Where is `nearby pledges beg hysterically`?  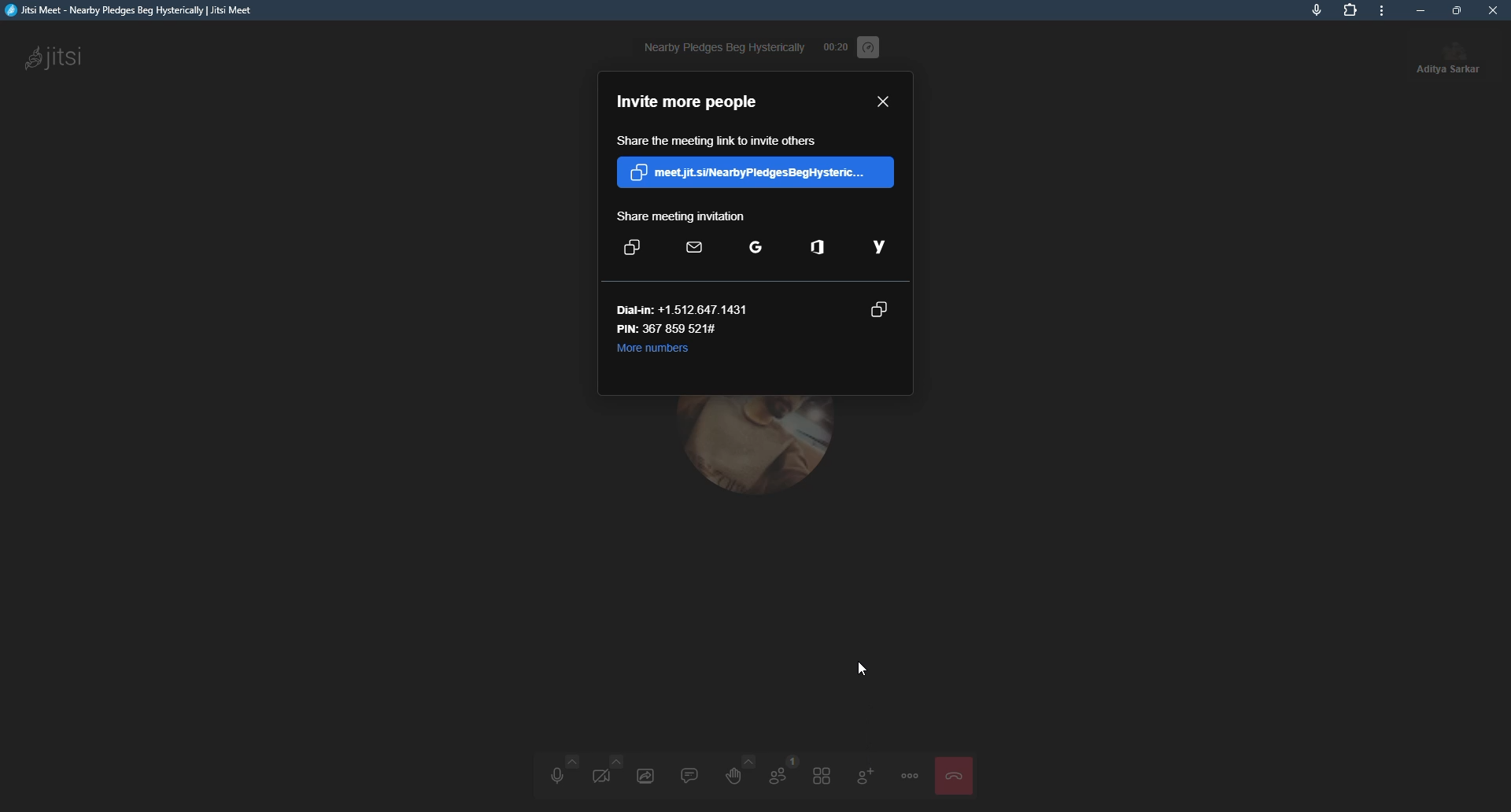 nearby pledges beg hysterically is located at coordinates (725, 47).